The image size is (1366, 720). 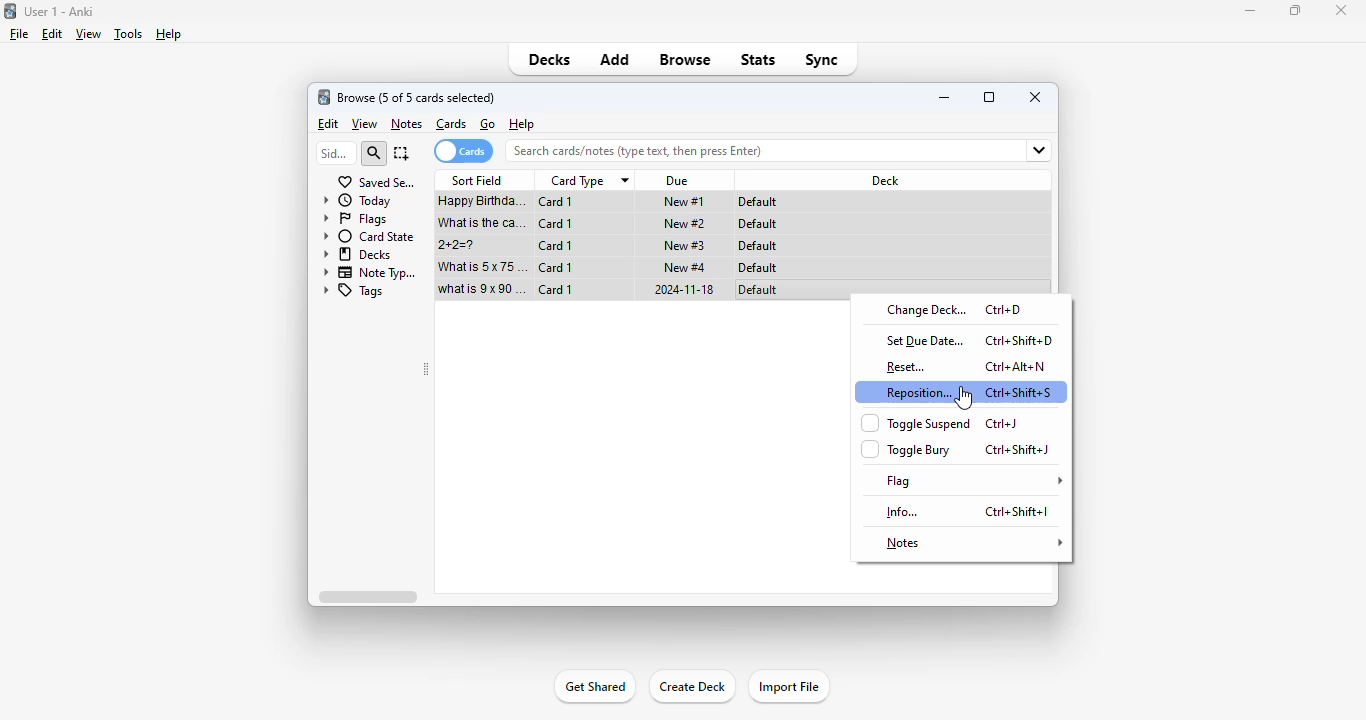 What do you see at coordinates (555, 267) in the screenshot?
I see `card 1` at bounding box center [555, 267].